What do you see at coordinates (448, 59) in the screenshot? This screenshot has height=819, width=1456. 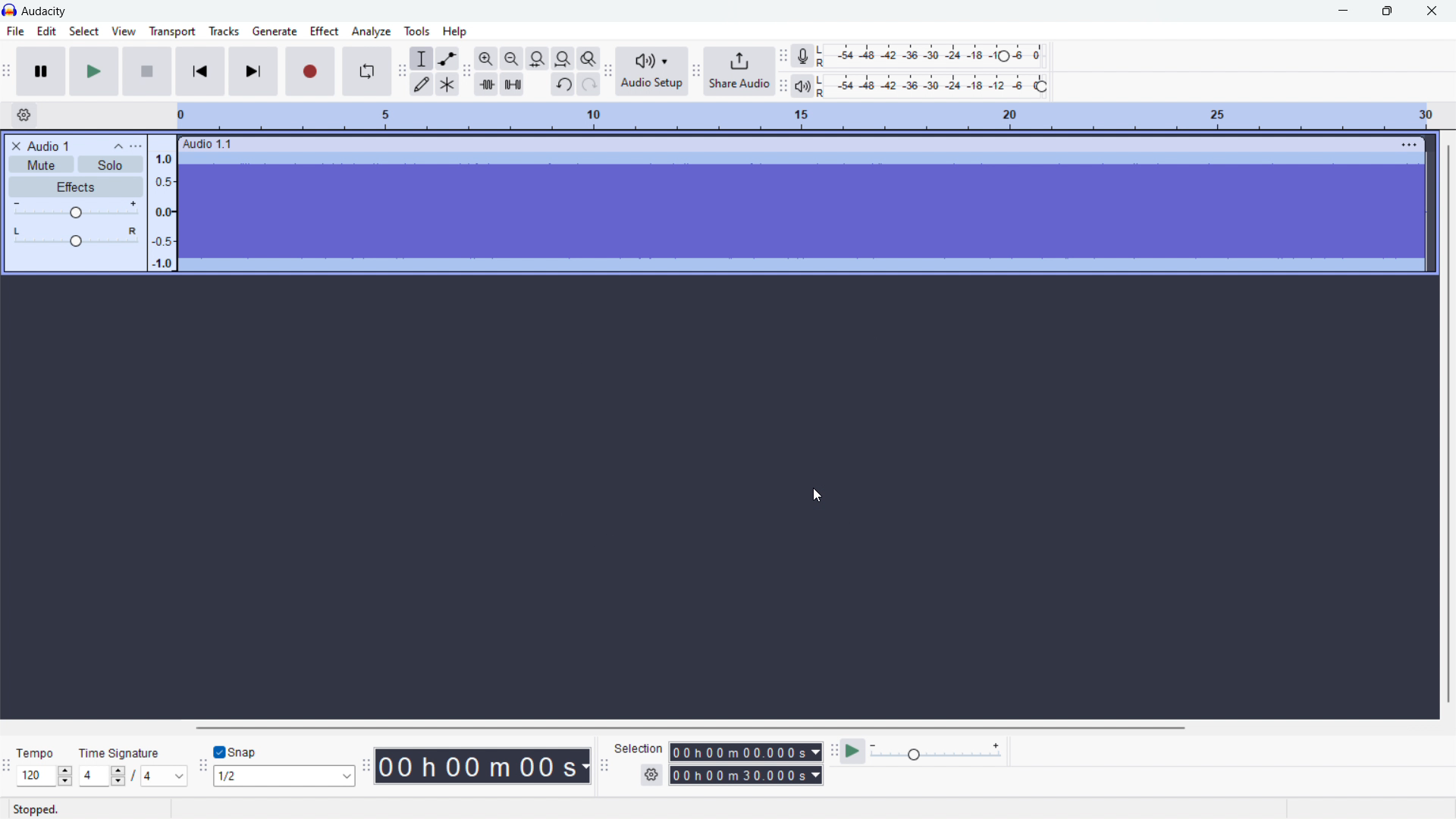 I see `envelop tool` at bounding box center [448, 59].